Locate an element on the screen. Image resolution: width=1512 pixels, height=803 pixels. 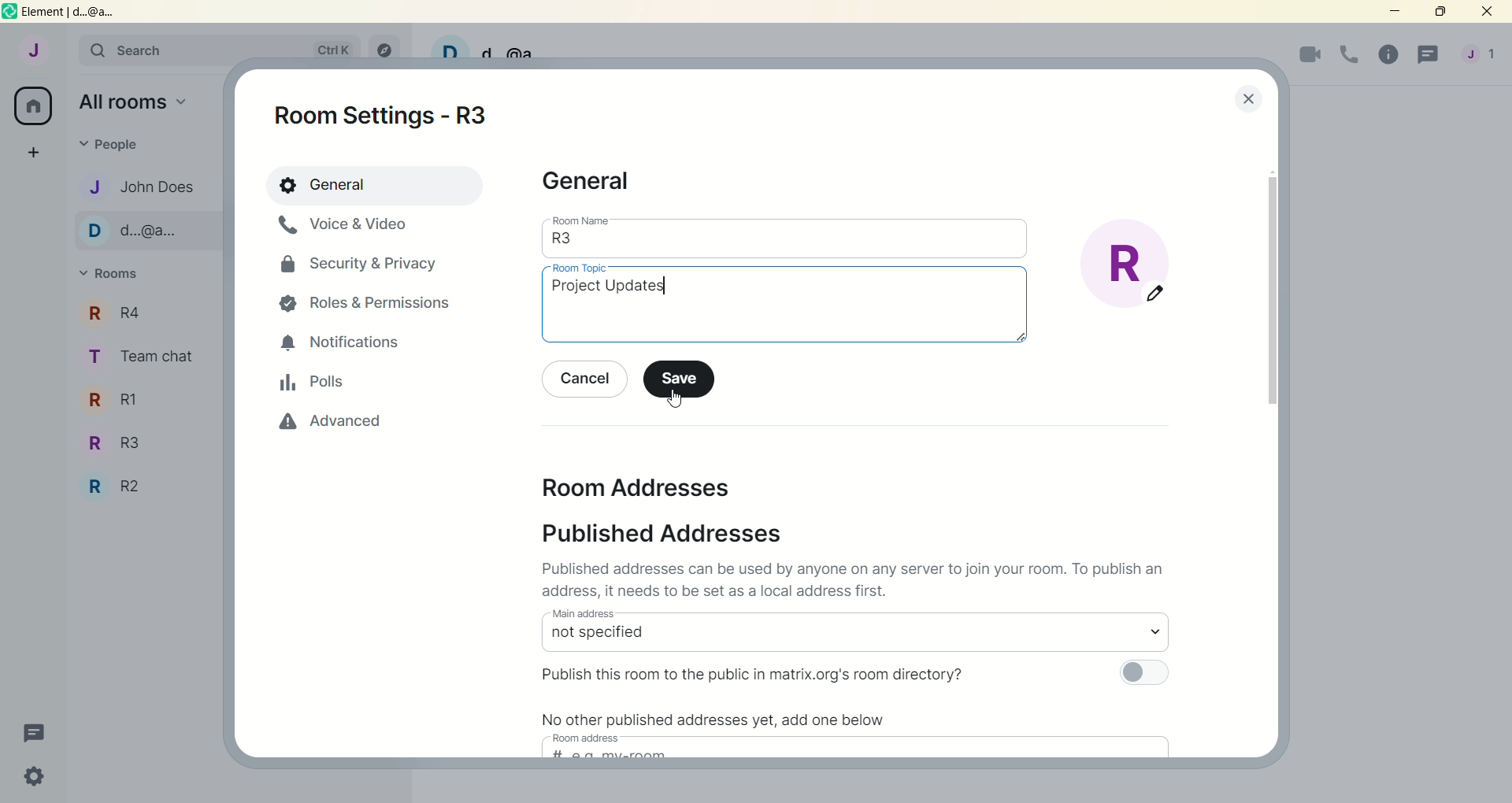
general is located at coordinates (376, 184).